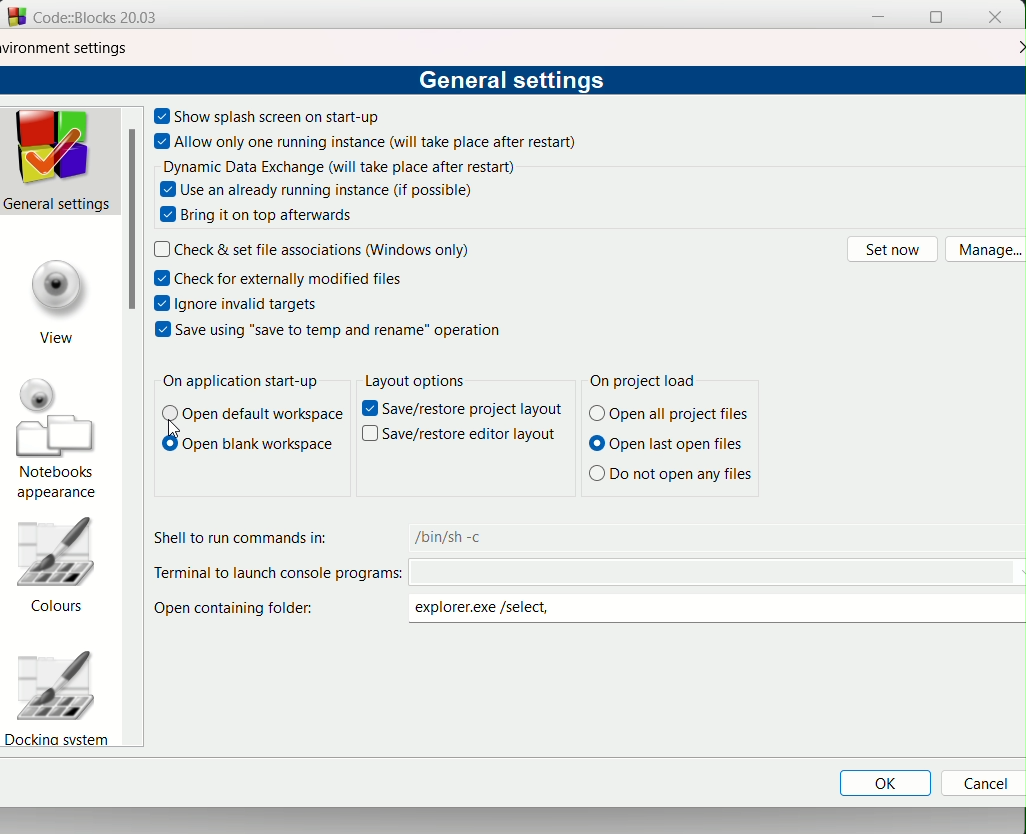 The height and width of the screenshot is (834, 1026). I want to click on text, so click(254, 304).